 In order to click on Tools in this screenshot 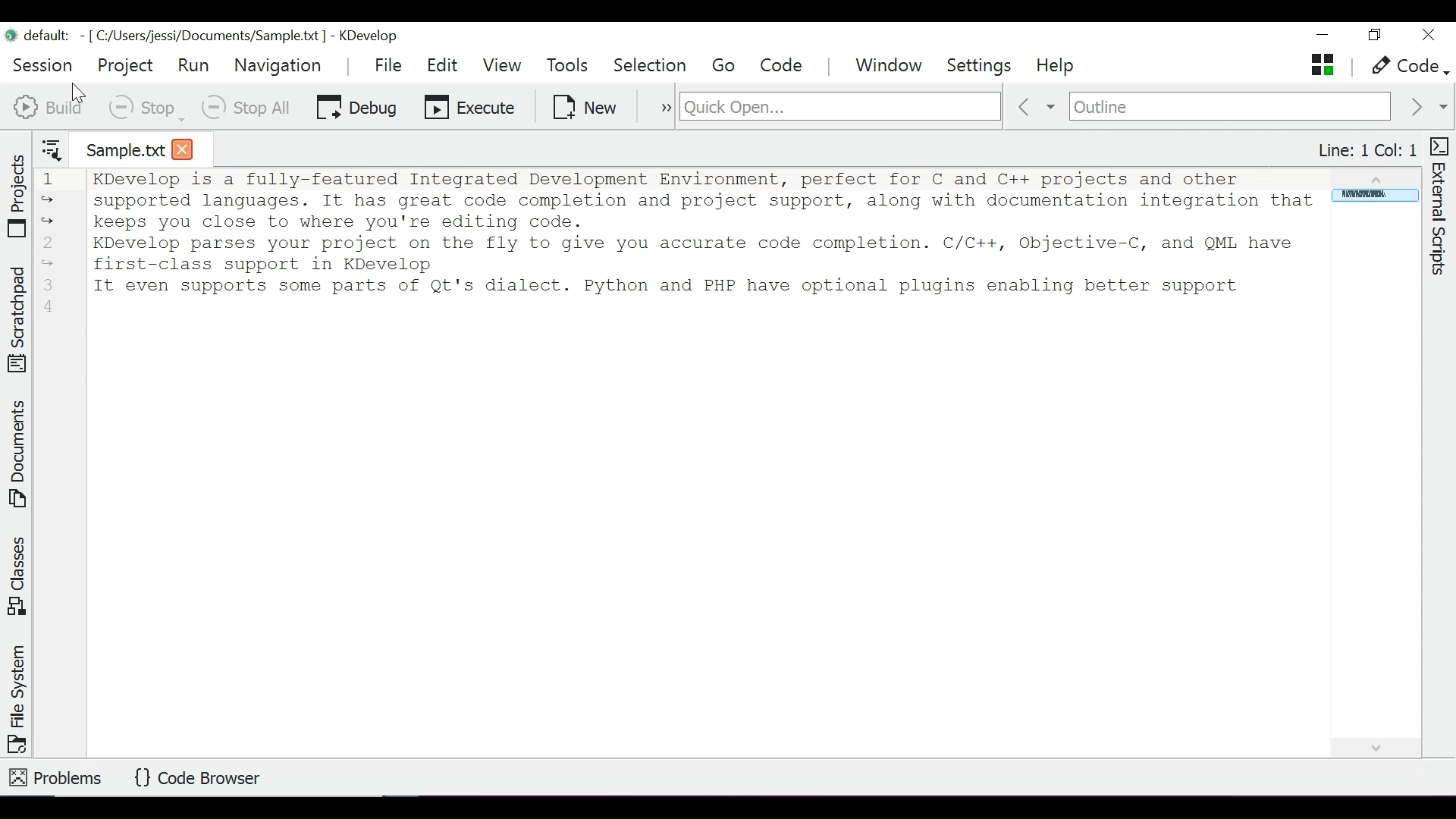, I will do `click(570, 64)`.